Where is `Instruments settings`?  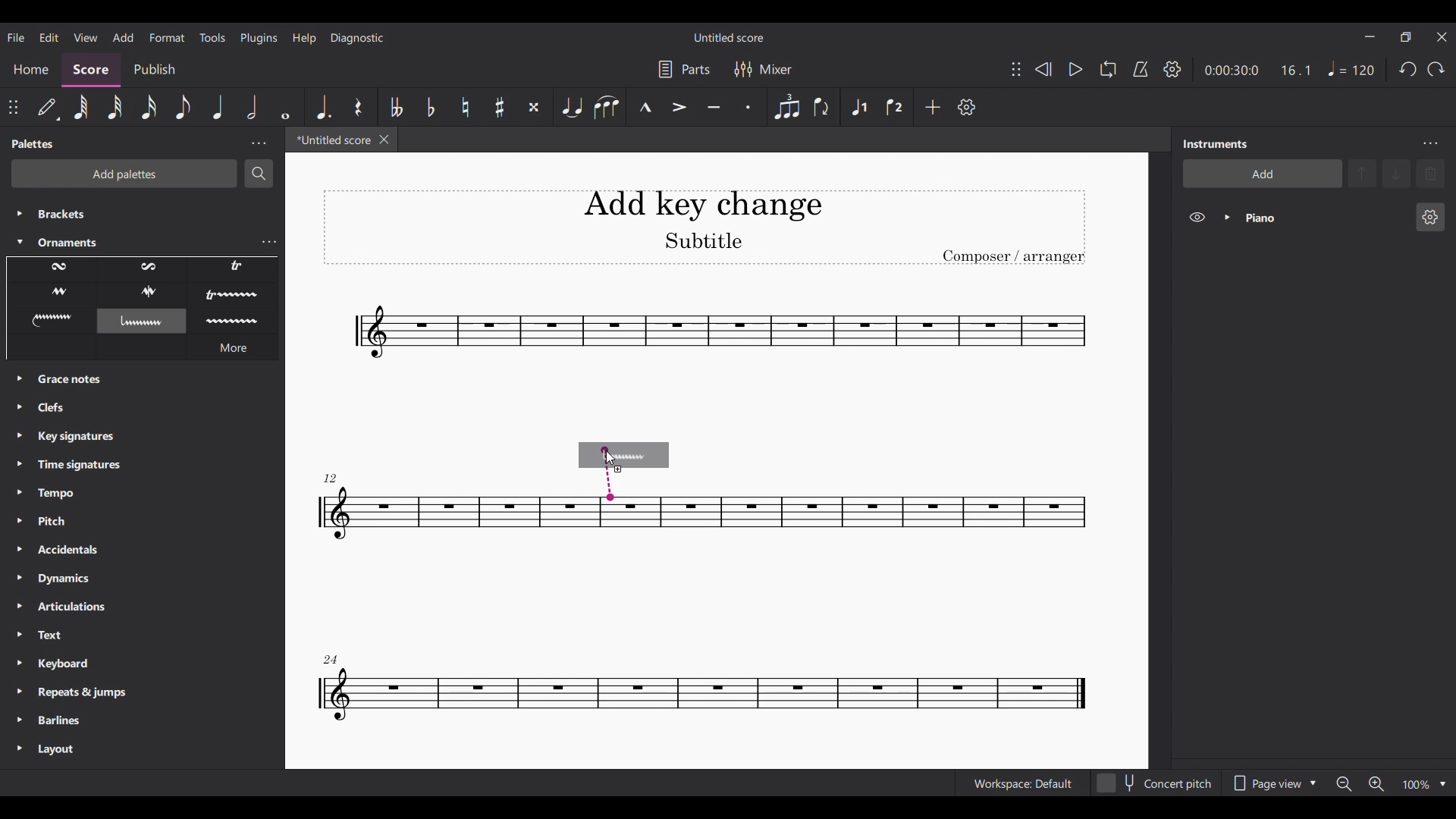 Instruments settings is located at coordinates (1431, 144).